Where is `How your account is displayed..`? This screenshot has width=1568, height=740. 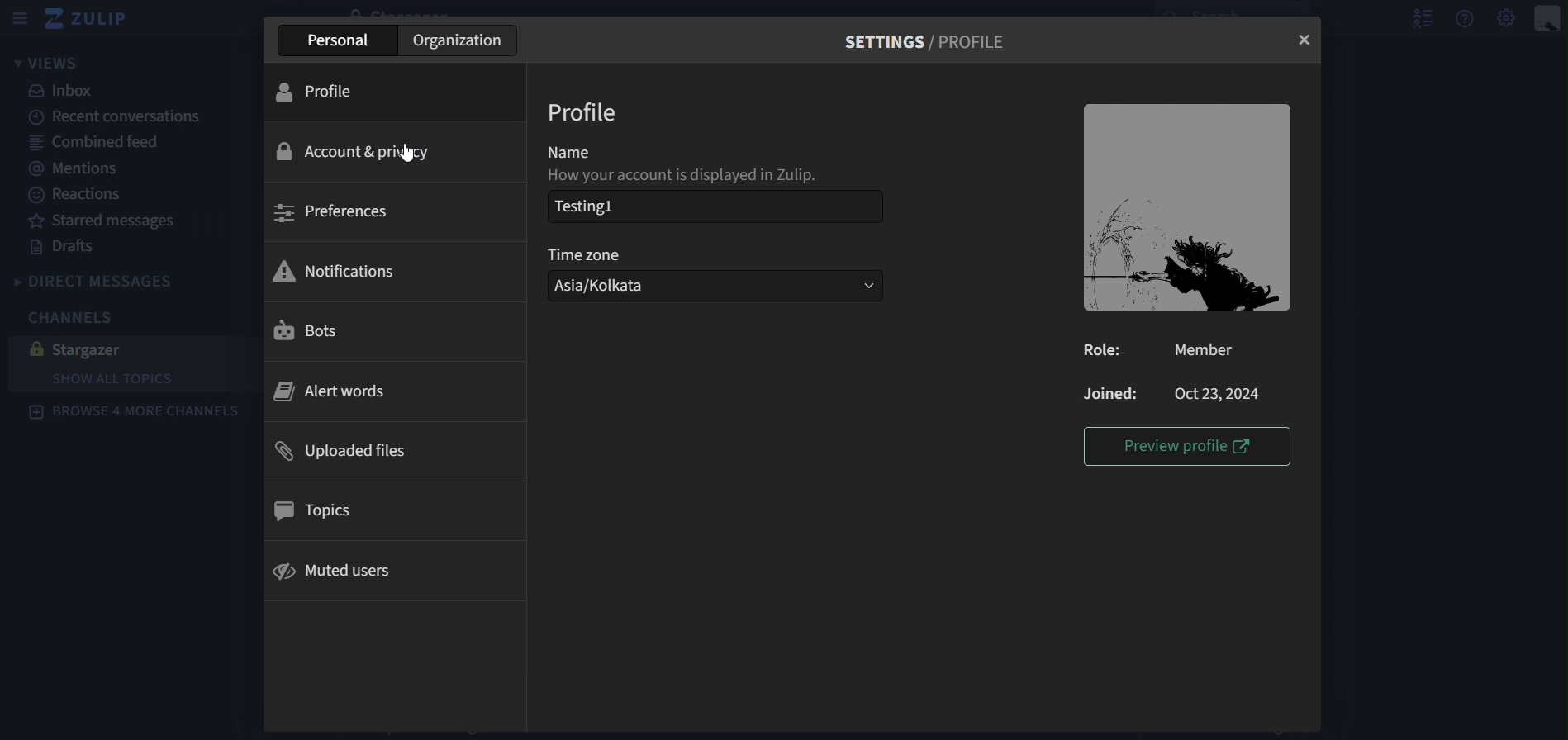 How your account is displayed.. is located at coordinates (715, 178).